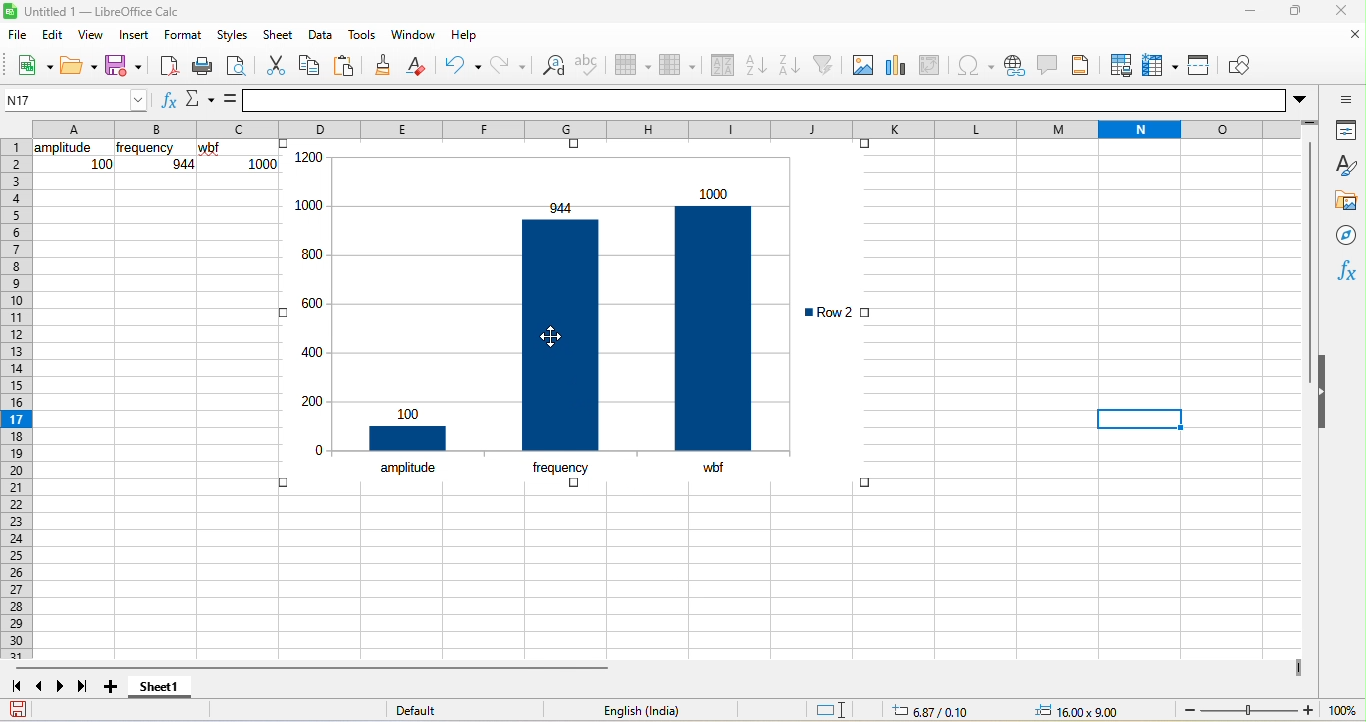 The height and width of the screenshot is (722, 1366). I want to click on zoom, so click(1267, 709).